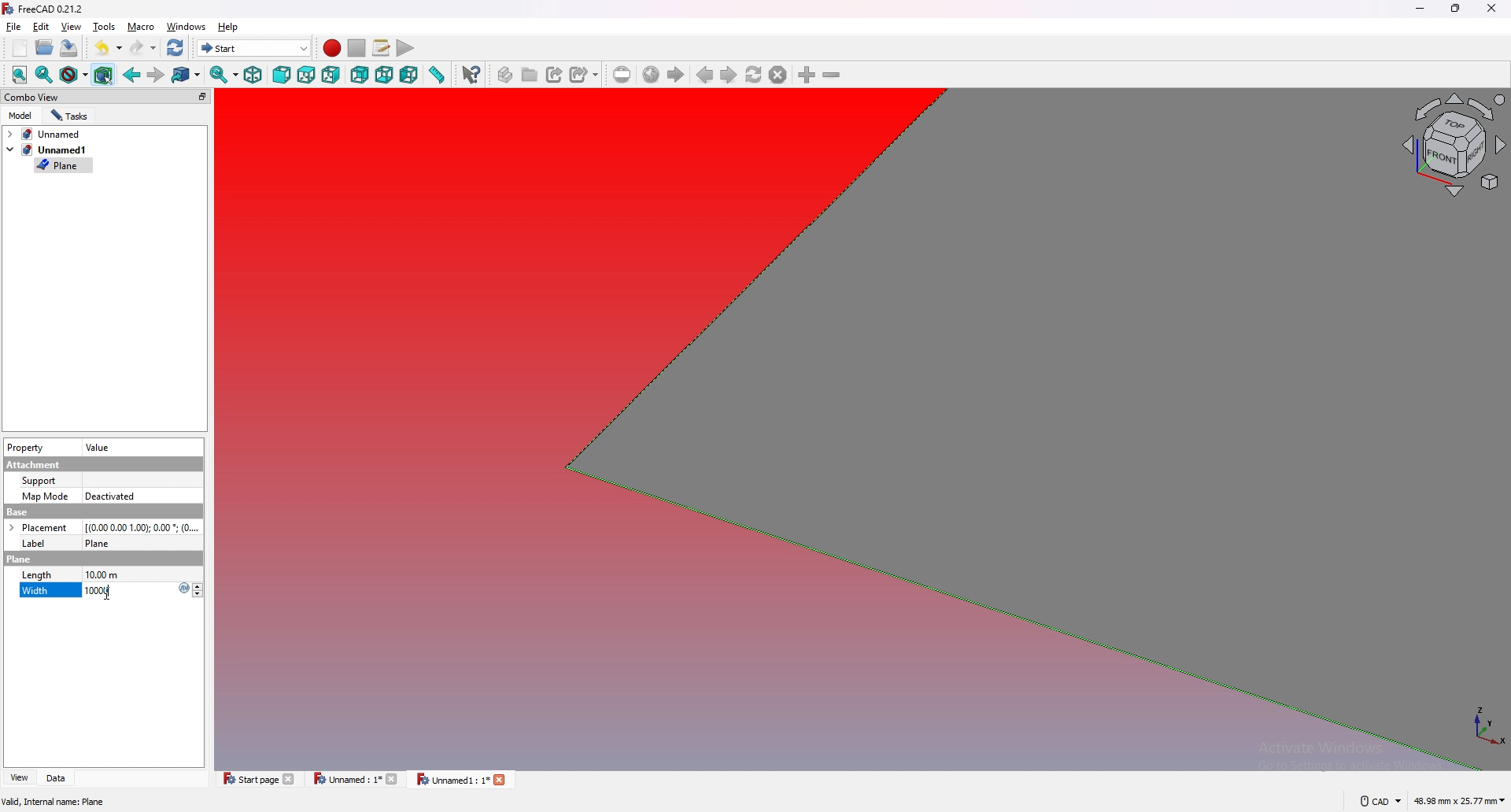  What do you see at coordinates (142, 26) in the screenshot?
I see `macro` at bounding box center [142, 26].